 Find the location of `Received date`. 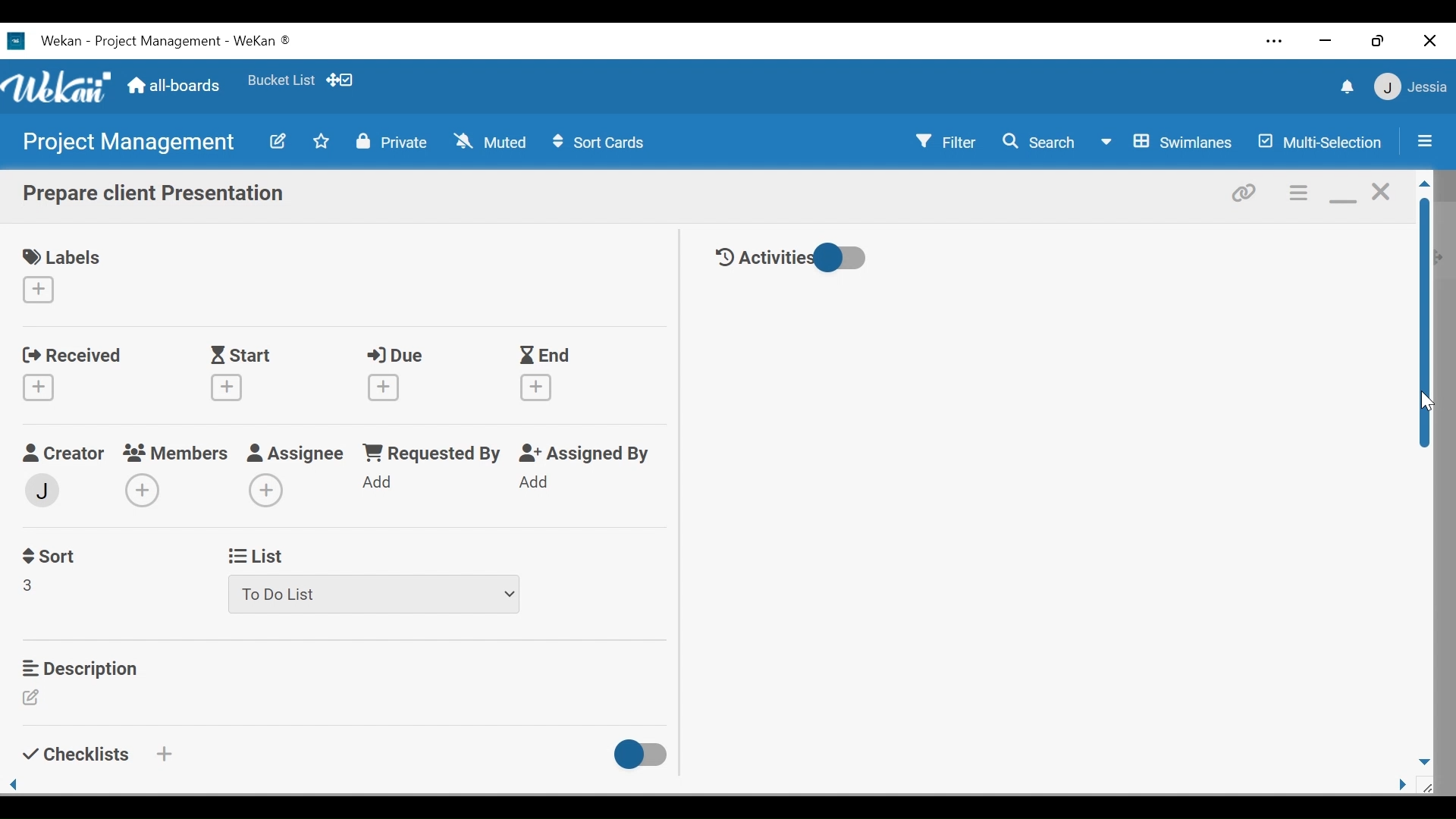

Received date is located at coordinates (74, 356).